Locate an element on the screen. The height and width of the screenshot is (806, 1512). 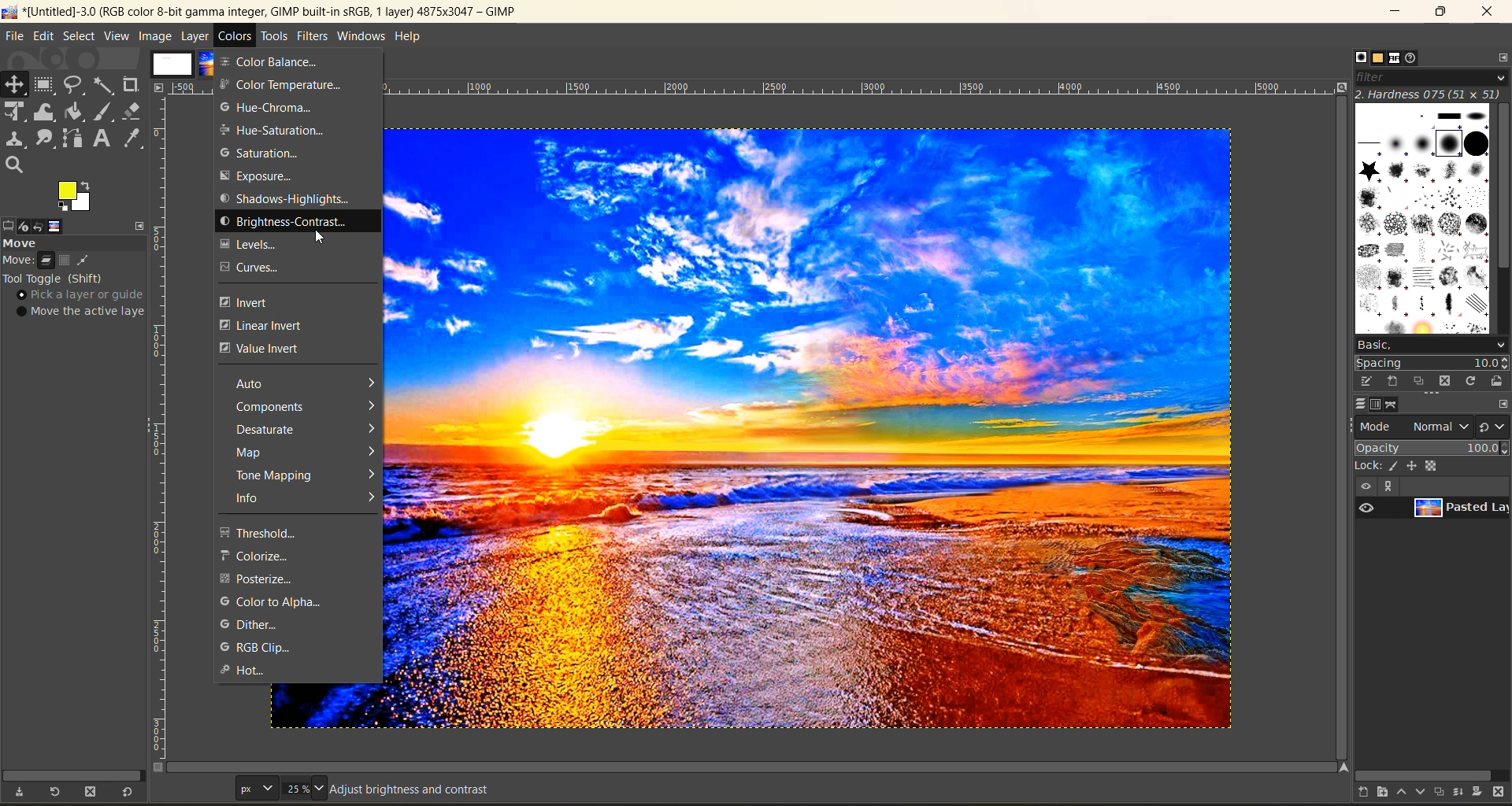
file name and app title is located at coordinates (269, 15).